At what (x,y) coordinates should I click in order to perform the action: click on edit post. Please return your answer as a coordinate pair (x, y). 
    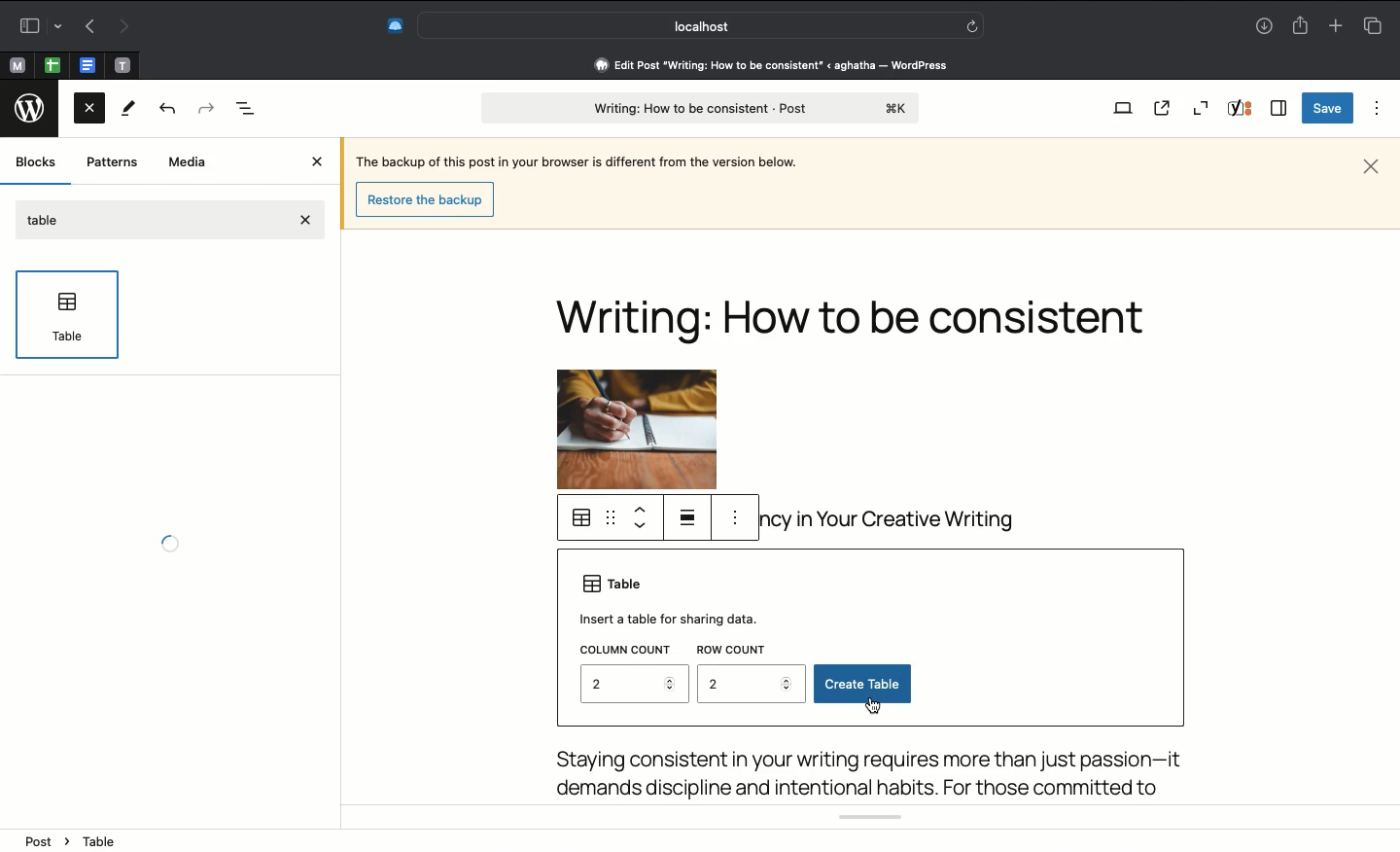
    Looking at the image, I should click on (774, 65).